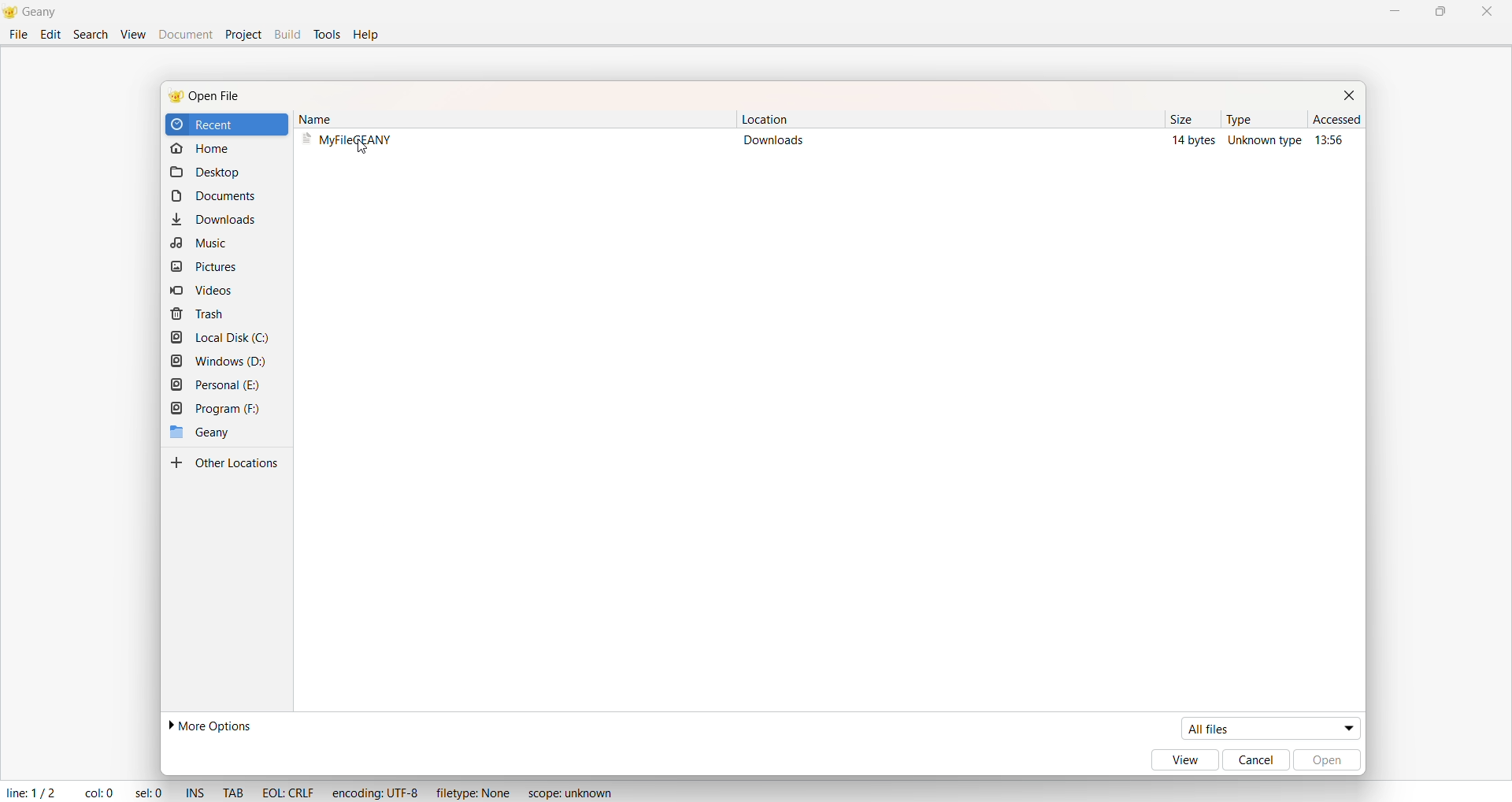 Image resolution: width=1512 pixels, height=802 pixels. I want to click on File, so click(17, 34).